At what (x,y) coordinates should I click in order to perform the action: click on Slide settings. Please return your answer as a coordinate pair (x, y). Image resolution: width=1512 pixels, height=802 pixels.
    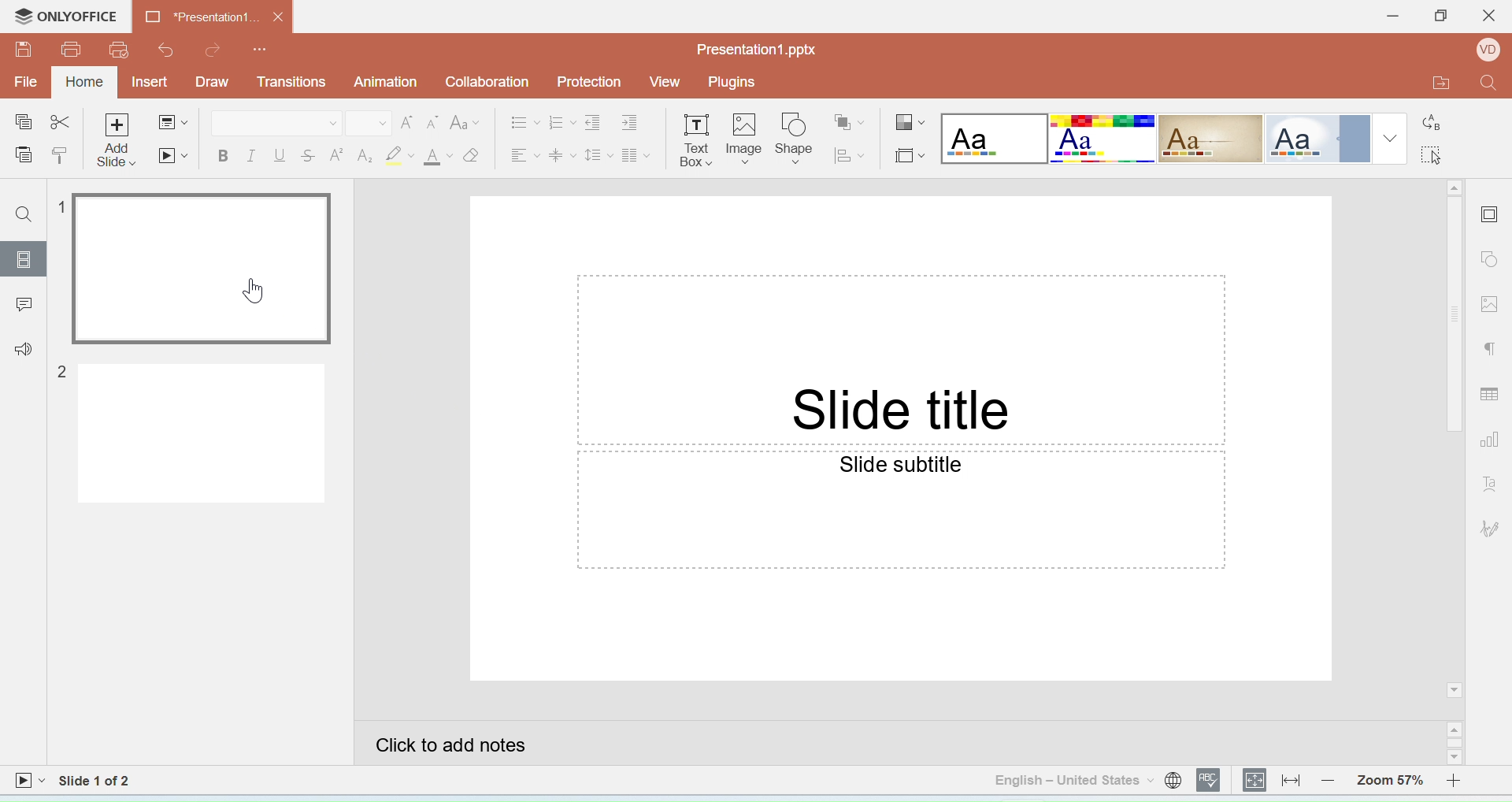
    Looking at the image, I should click on (1492, 212).